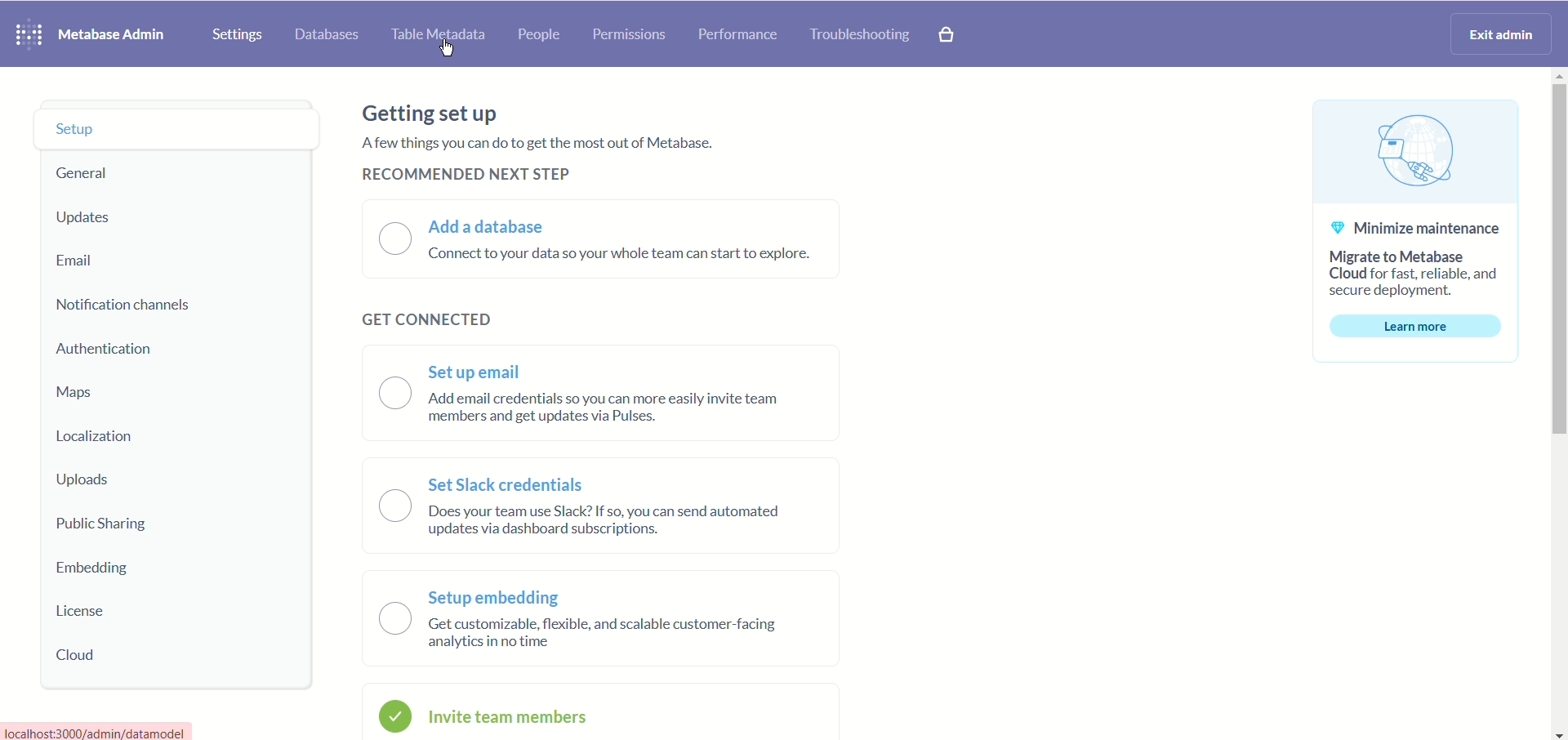 The image size is (1568, 740). I want to click on Minimize maintenance. Migrate to Metabase. Cloud for fast, reliable, and secure deployment., so click(1422, 261).